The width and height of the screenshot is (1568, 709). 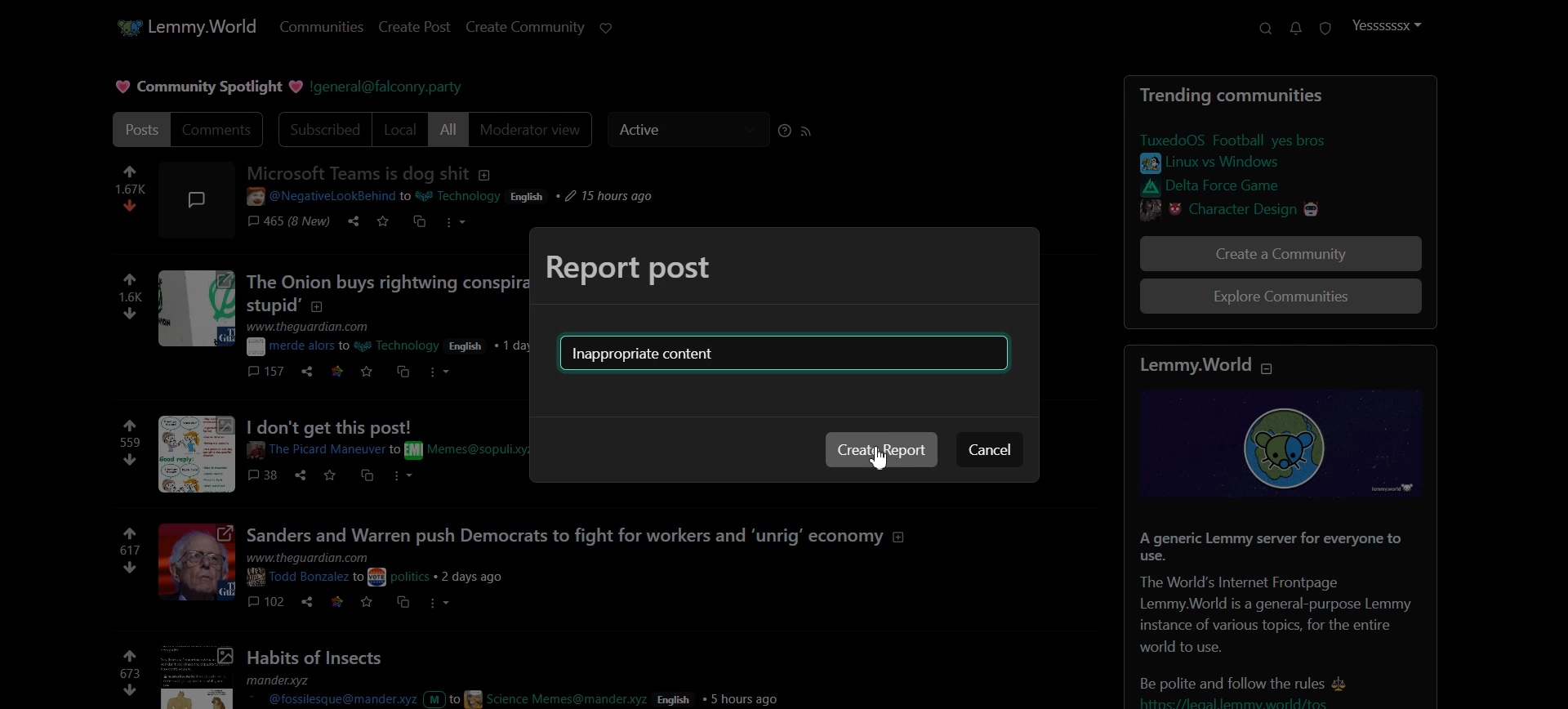 What do you see at coordinates (131, 550) in the screenshot?
I see `numbers` at bounding box center [131, 550].